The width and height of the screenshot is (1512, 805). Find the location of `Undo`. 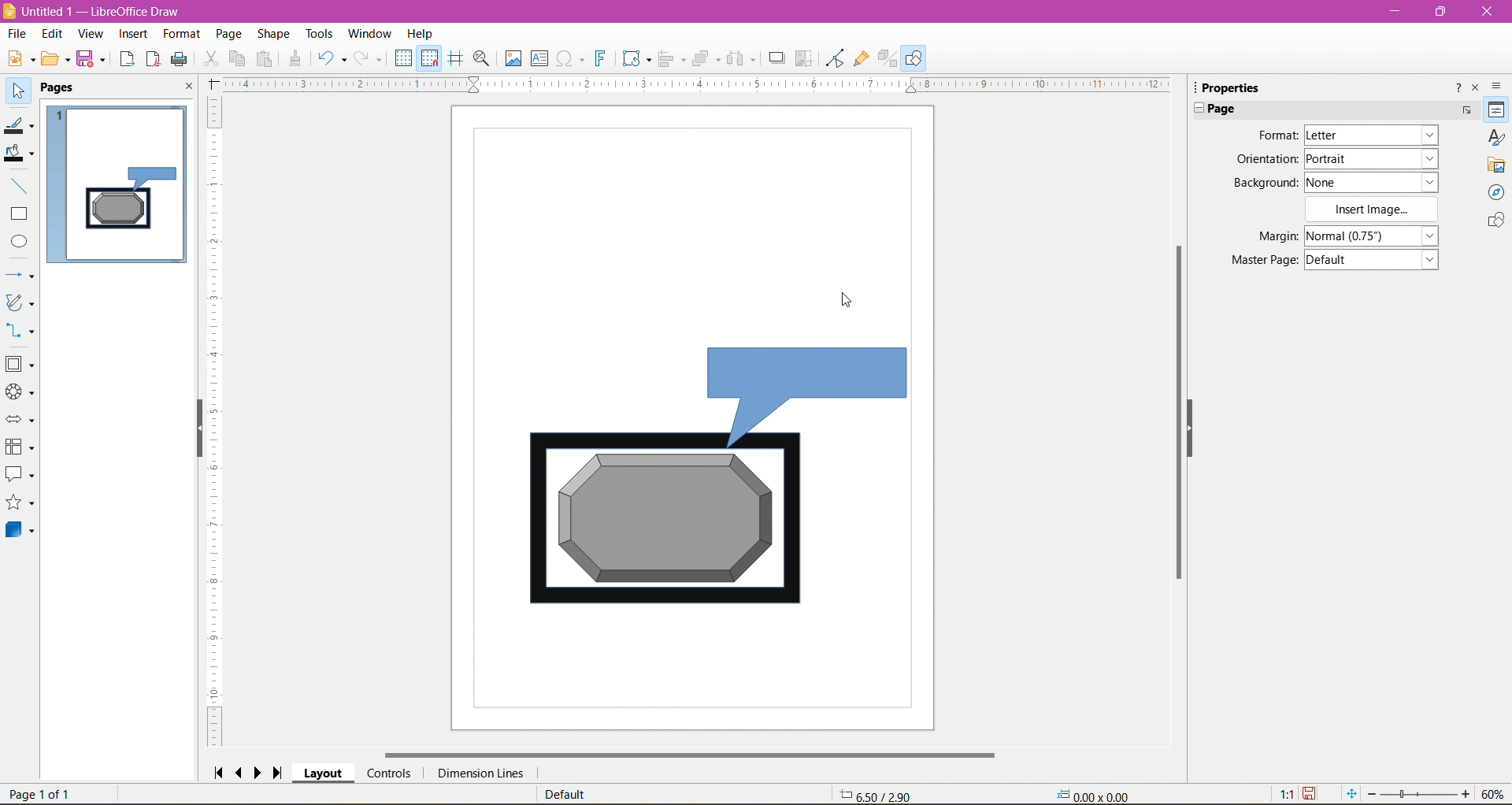

Undo is located at coordinates (332, 57).